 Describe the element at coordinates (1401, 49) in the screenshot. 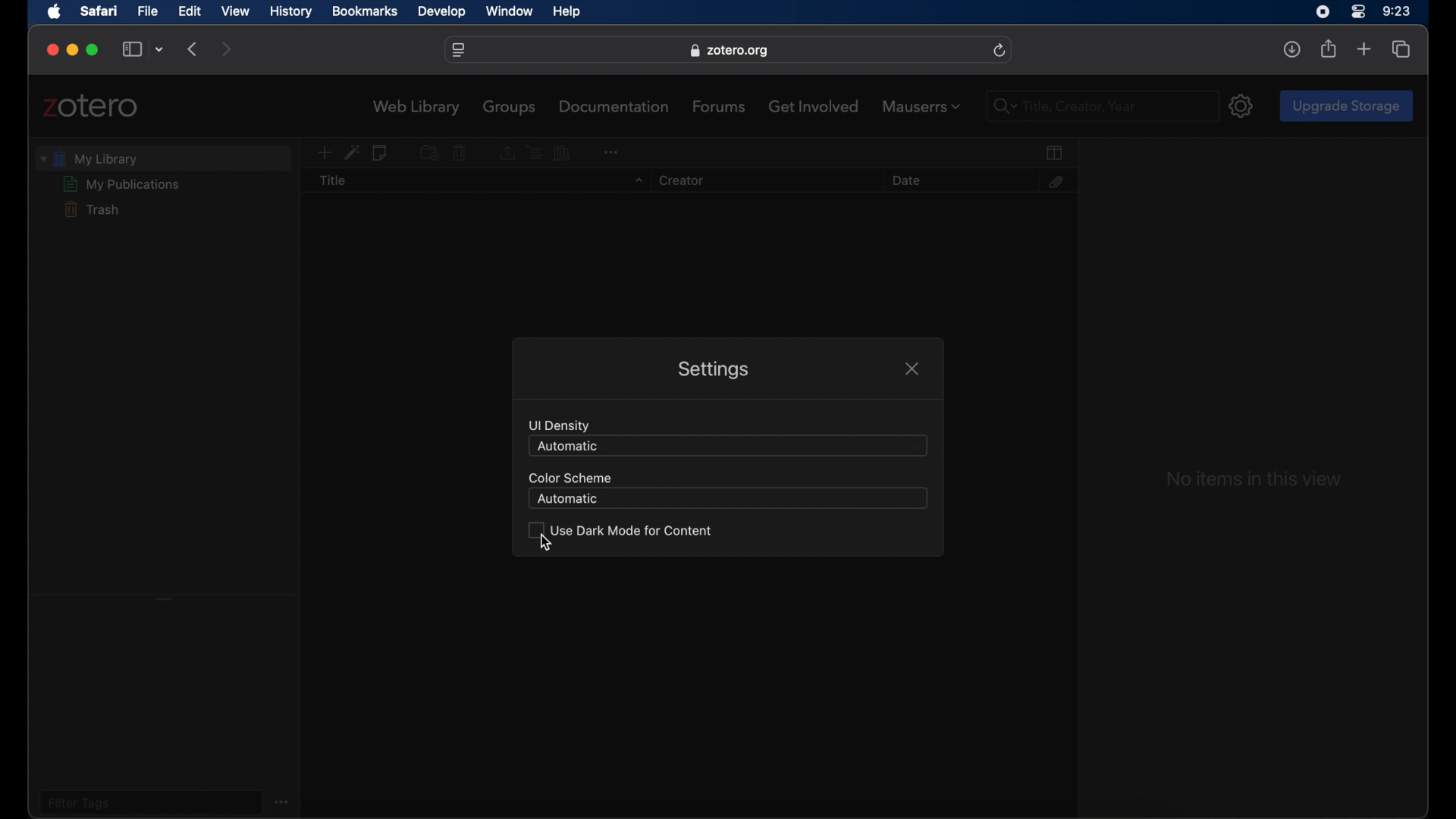

I see `show tab overview` at that location.